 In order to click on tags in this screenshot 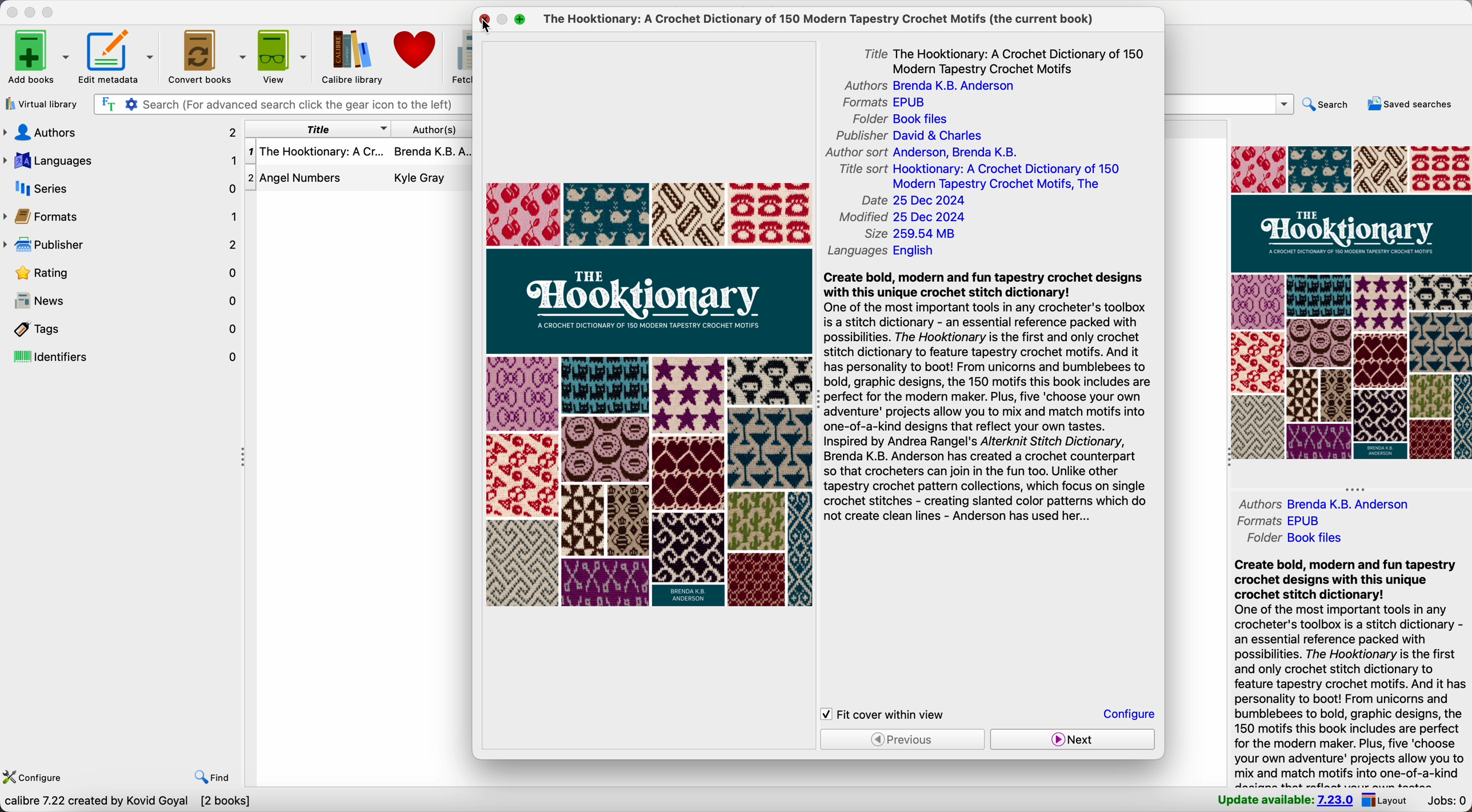, I will do `click(122, 329)`.